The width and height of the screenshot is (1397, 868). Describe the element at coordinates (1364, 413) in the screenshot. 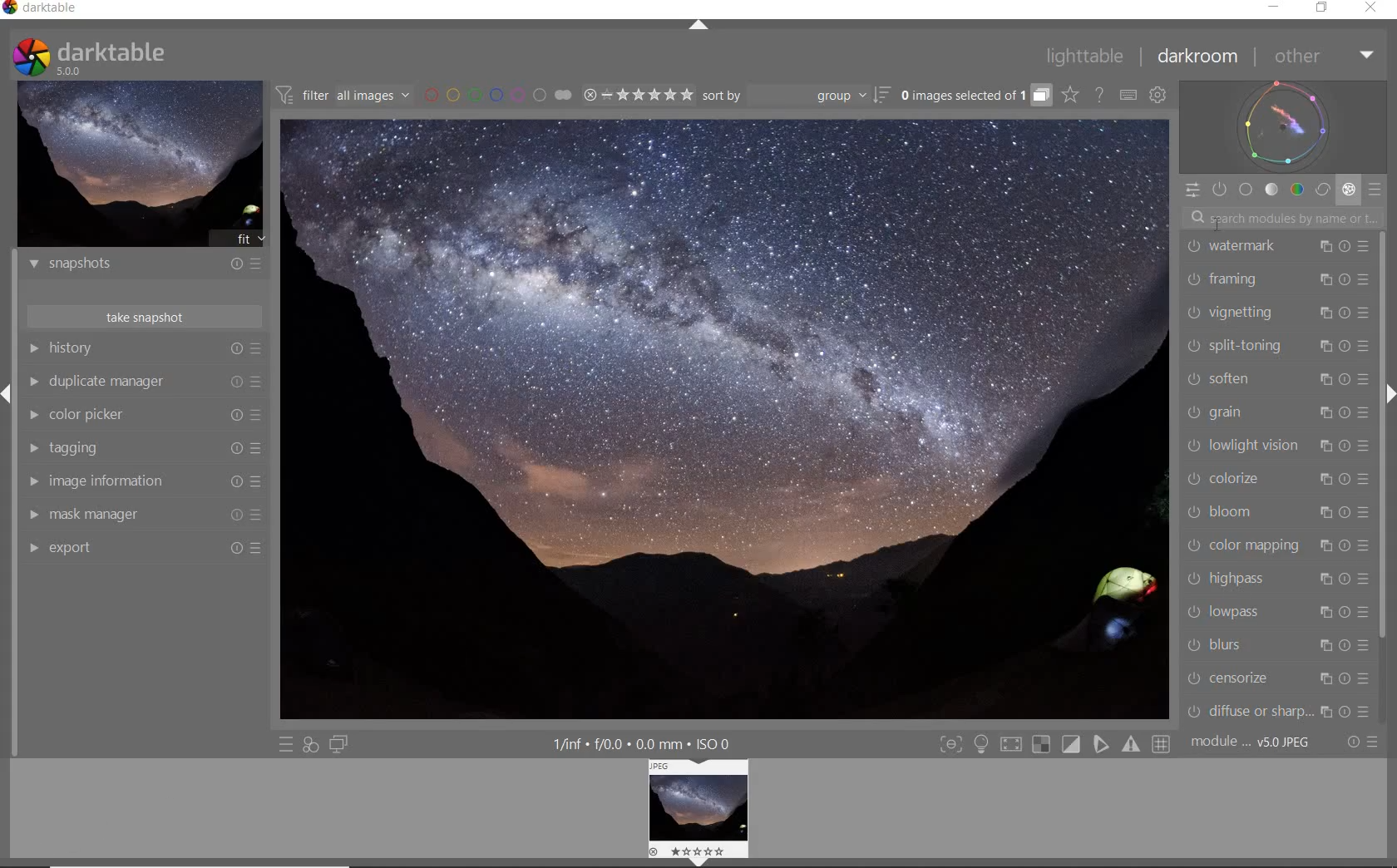

I see `` at that location.